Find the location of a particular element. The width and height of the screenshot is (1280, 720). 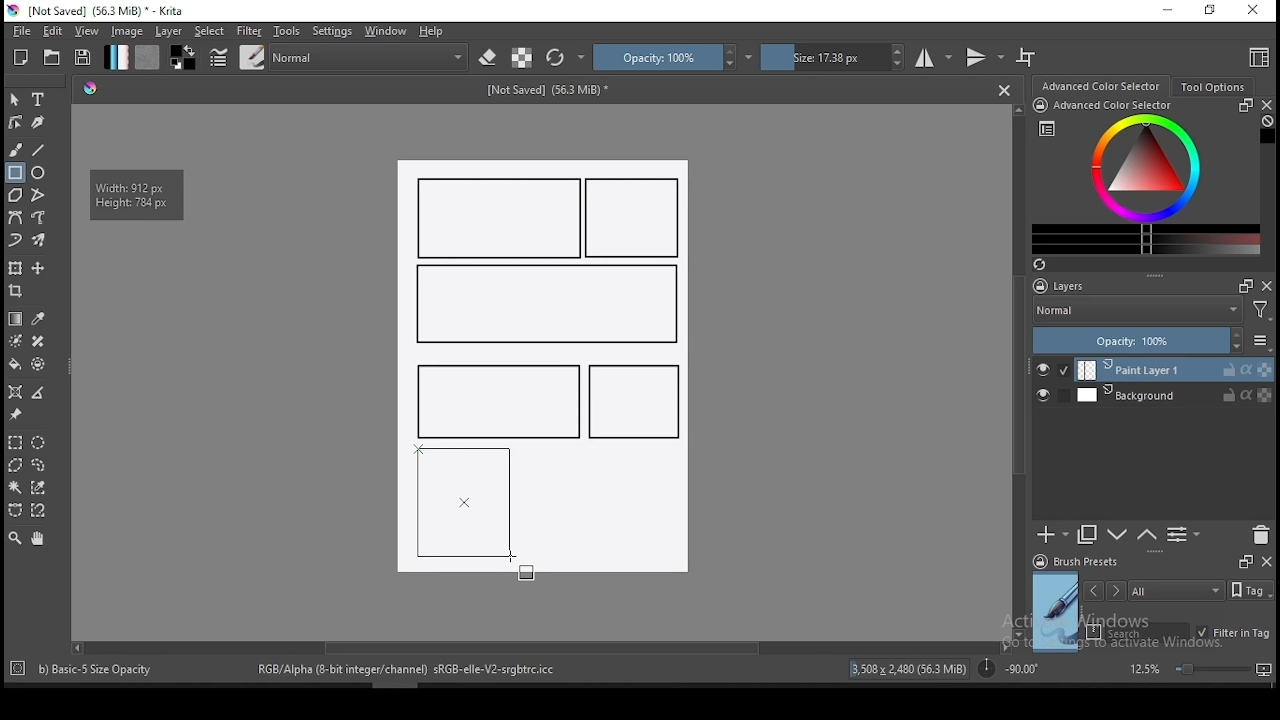

multibrush tool is located at coordinates (40, 242).